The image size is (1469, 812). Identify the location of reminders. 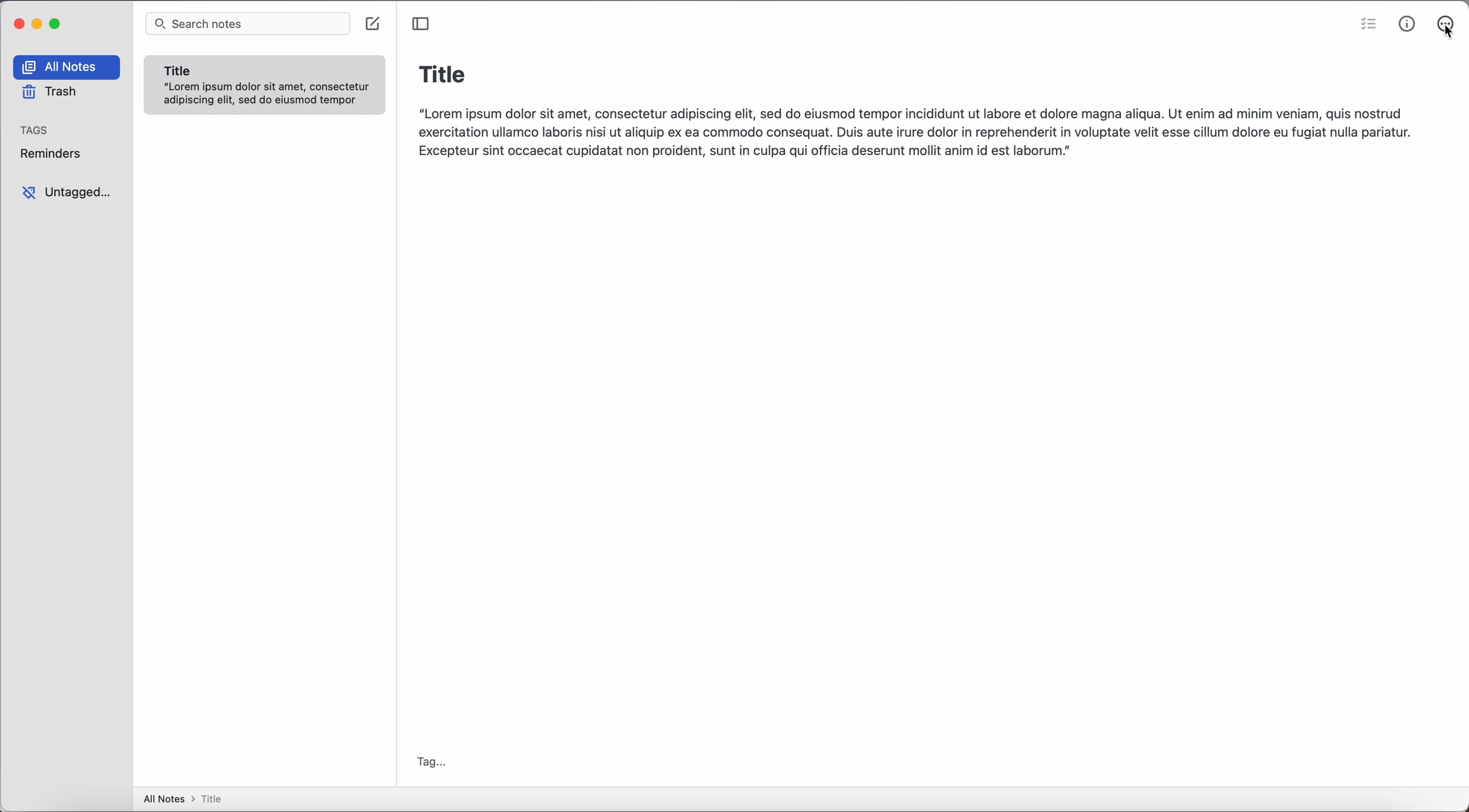
(55, 153).